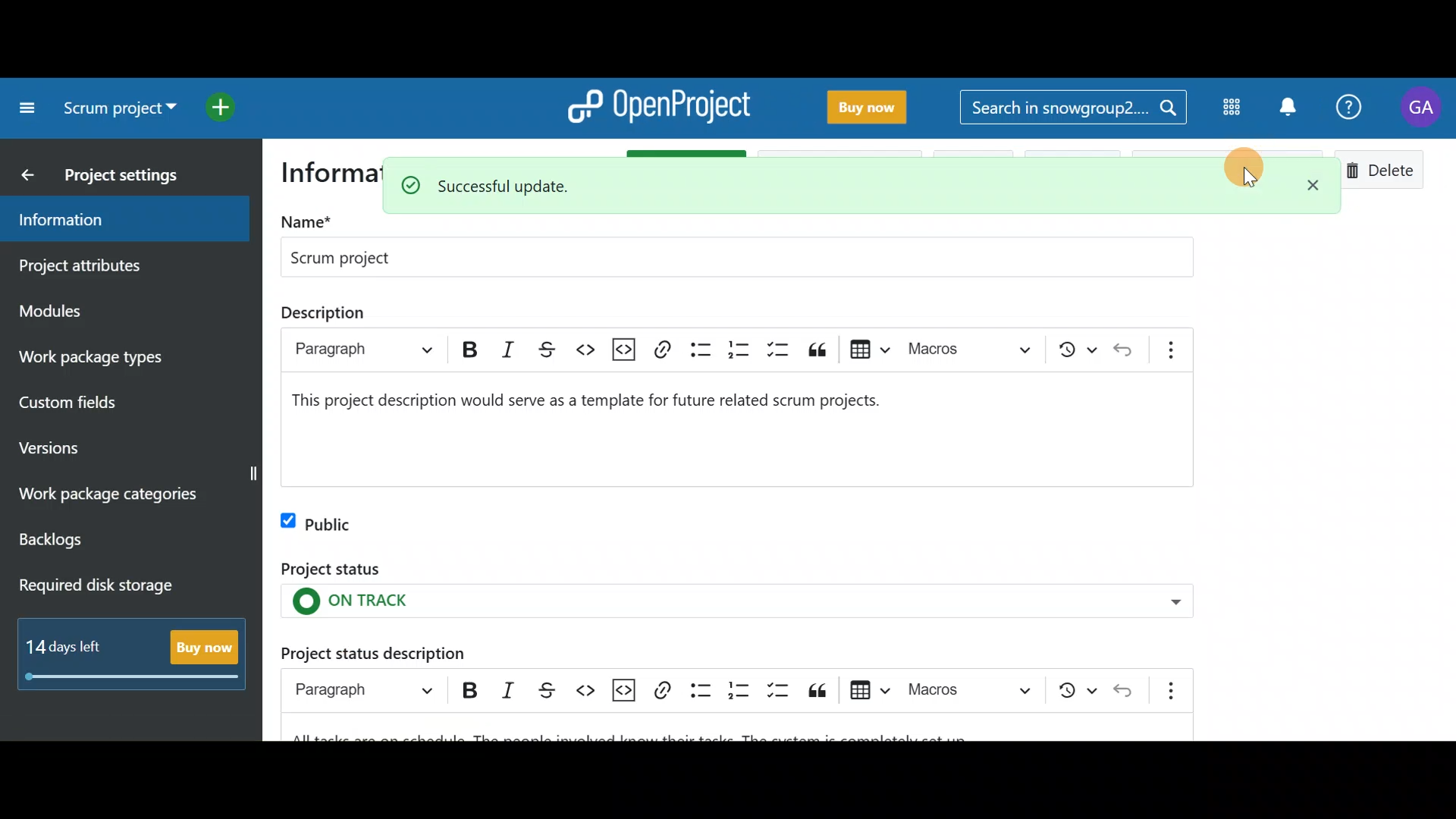  I want to click on Required disk storage, so click(127, 587).